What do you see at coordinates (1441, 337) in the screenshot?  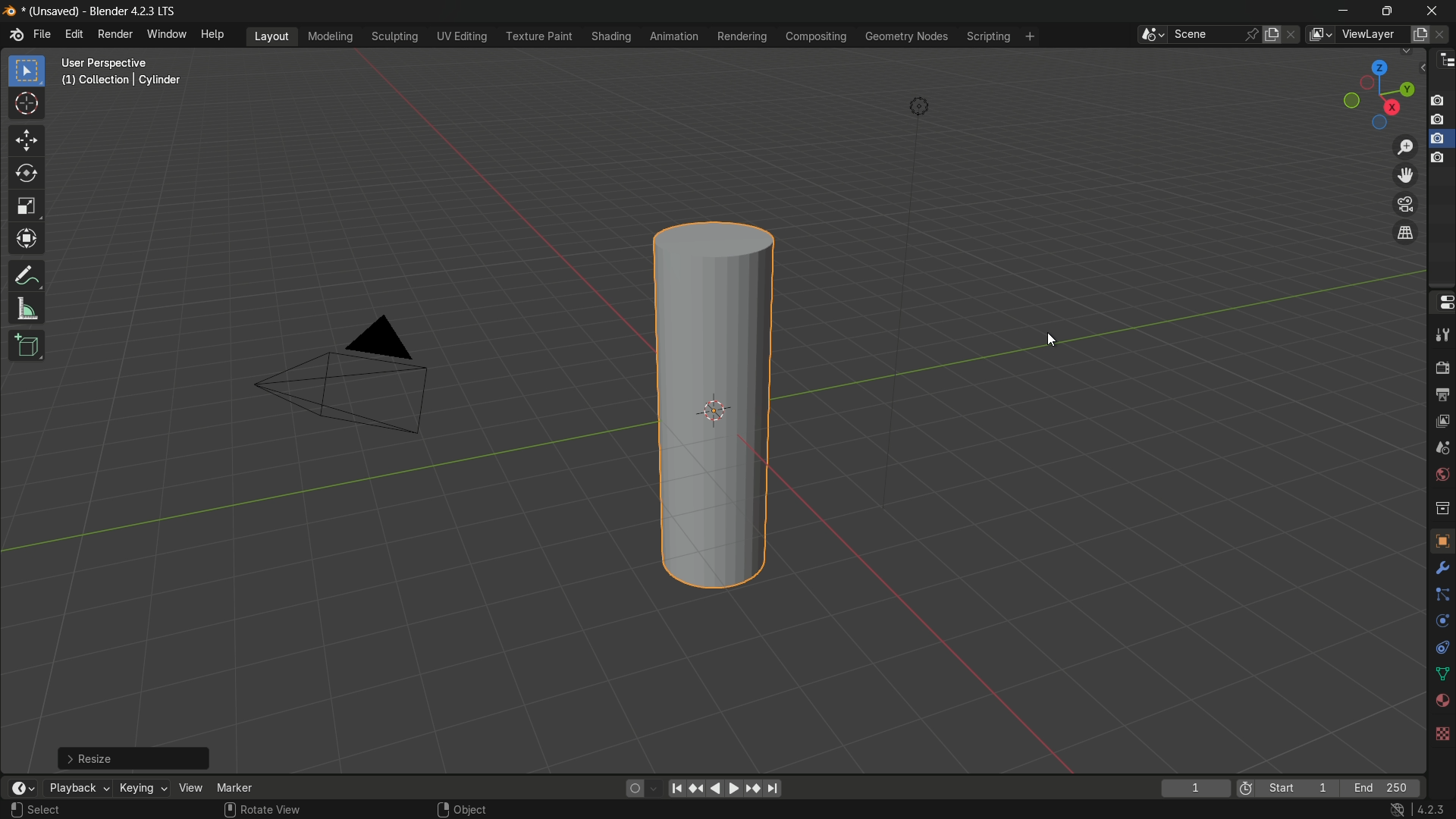 I see `tools` at bounding box center [1441, 337].